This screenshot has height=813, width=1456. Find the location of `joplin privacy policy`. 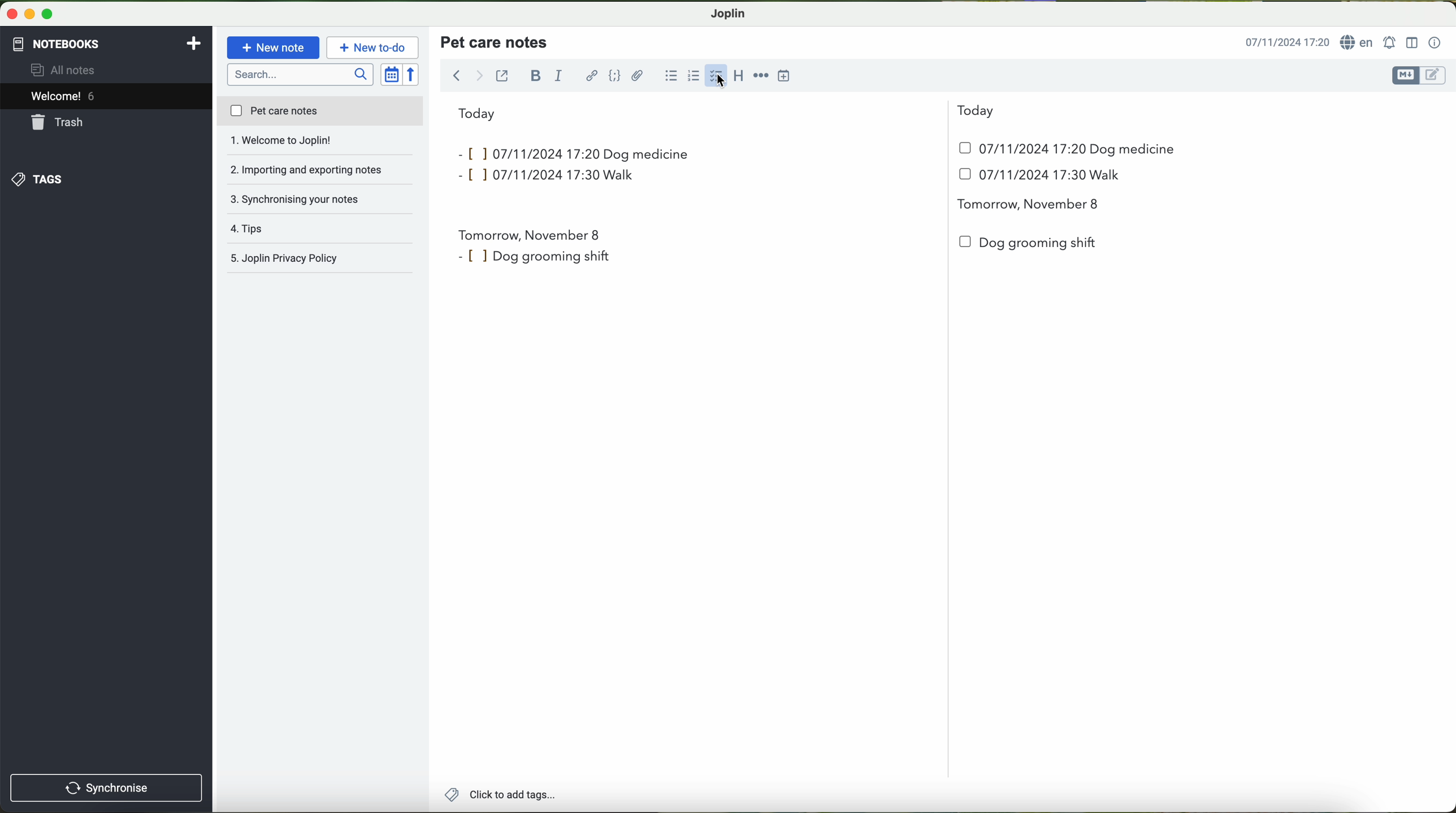

joplin privacy policy is located at coordinates (314, 260).